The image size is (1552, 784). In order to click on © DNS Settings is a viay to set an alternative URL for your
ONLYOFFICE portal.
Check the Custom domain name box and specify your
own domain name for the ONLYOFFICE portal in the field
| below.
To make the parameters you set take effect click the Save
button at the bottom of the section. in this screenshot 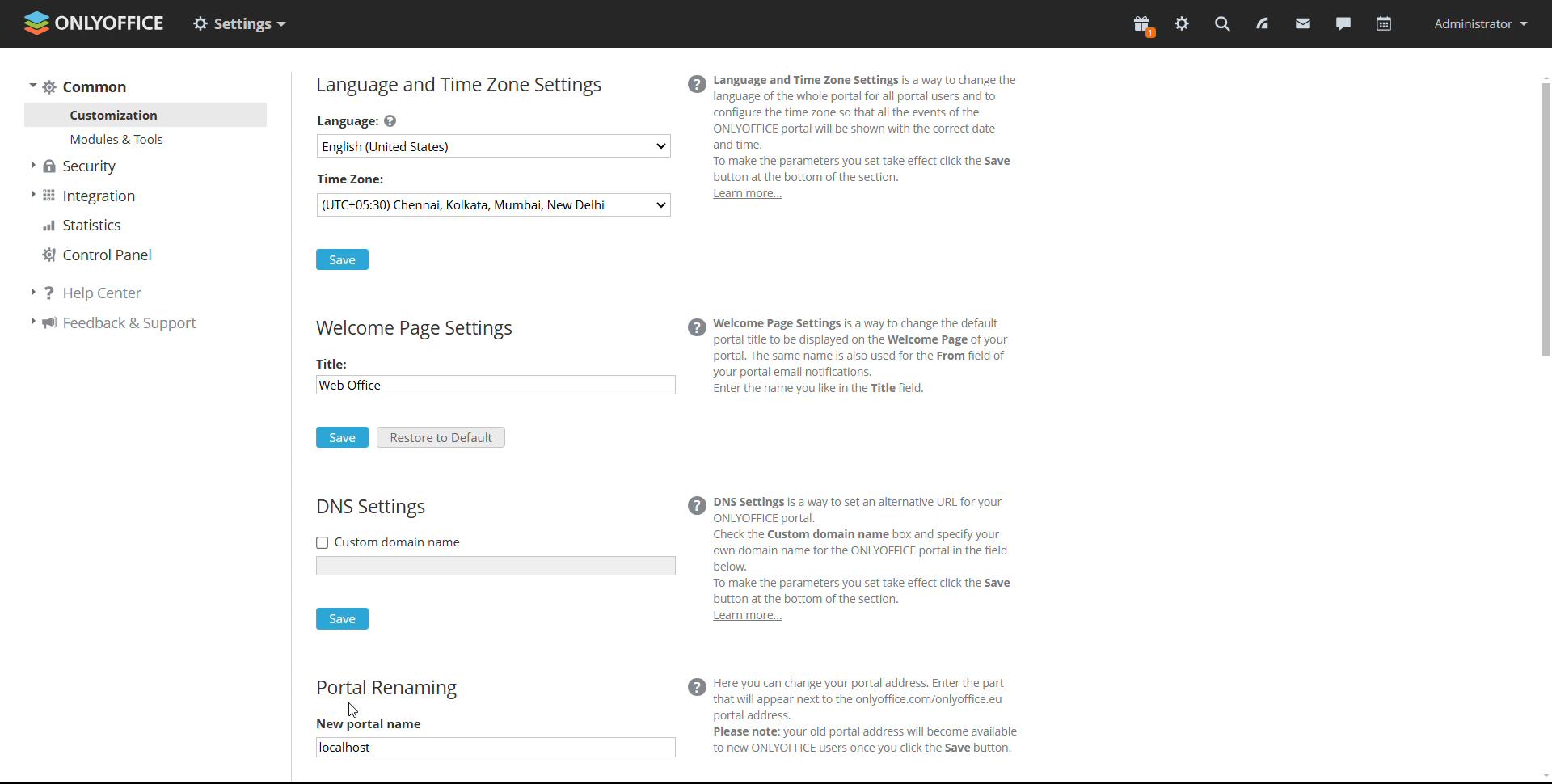, I will do `click(860, 547)`.